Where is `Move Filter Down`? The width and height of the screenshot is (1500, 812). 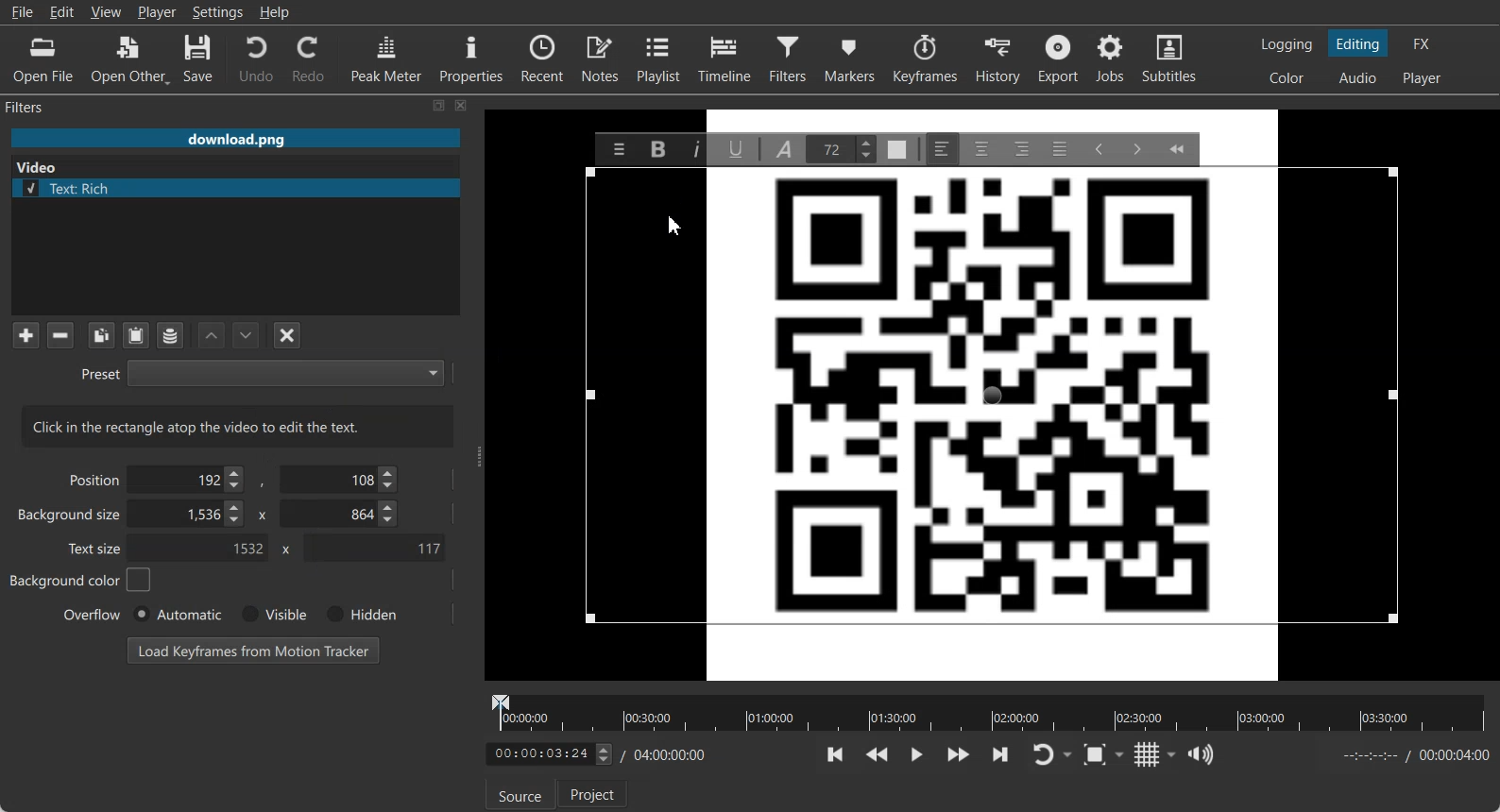 Move Filter Down is located at coordinates (247, 335).